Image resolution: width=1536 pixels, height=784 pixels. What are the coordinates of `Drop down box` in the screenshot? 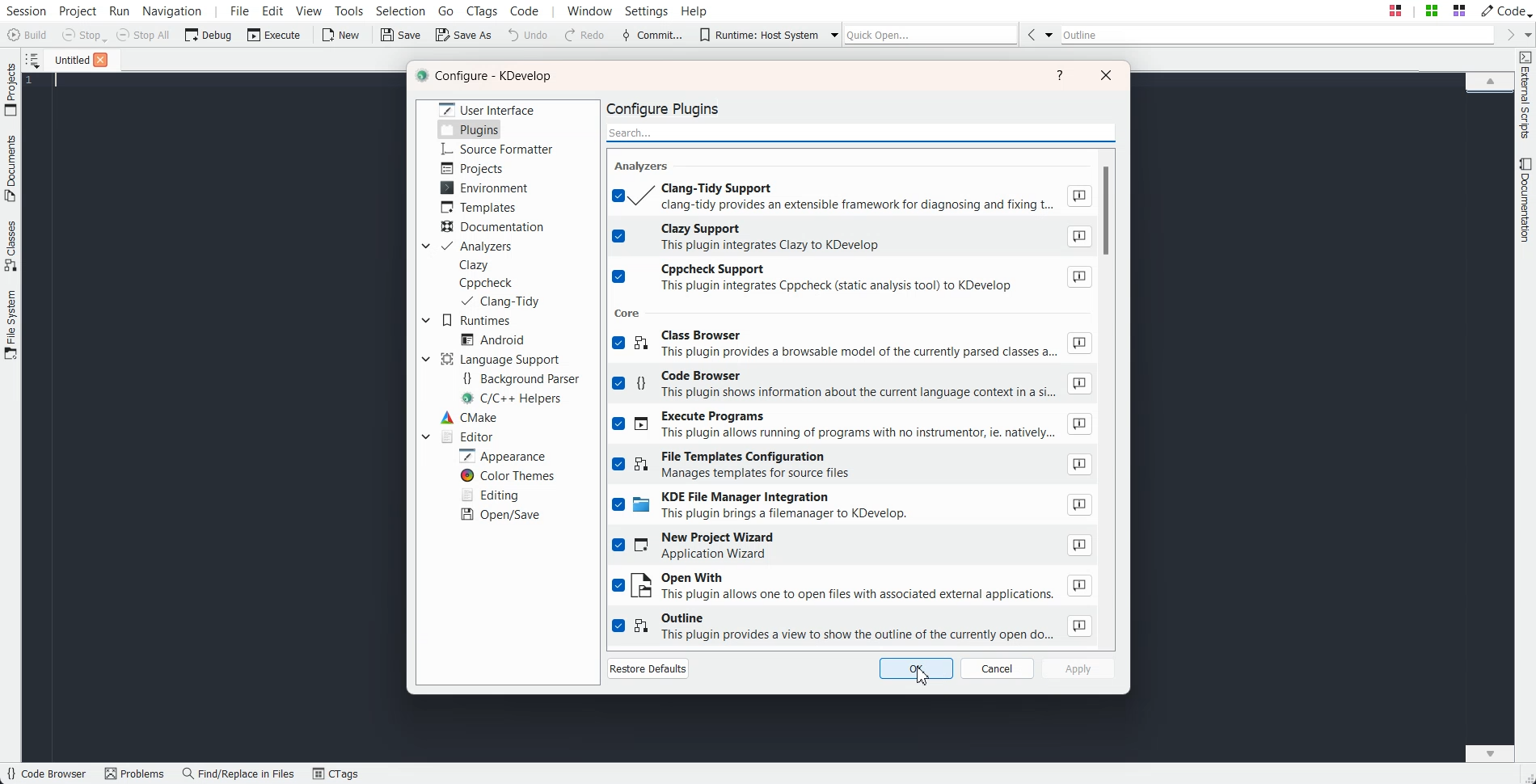 It's located at (426, 320).